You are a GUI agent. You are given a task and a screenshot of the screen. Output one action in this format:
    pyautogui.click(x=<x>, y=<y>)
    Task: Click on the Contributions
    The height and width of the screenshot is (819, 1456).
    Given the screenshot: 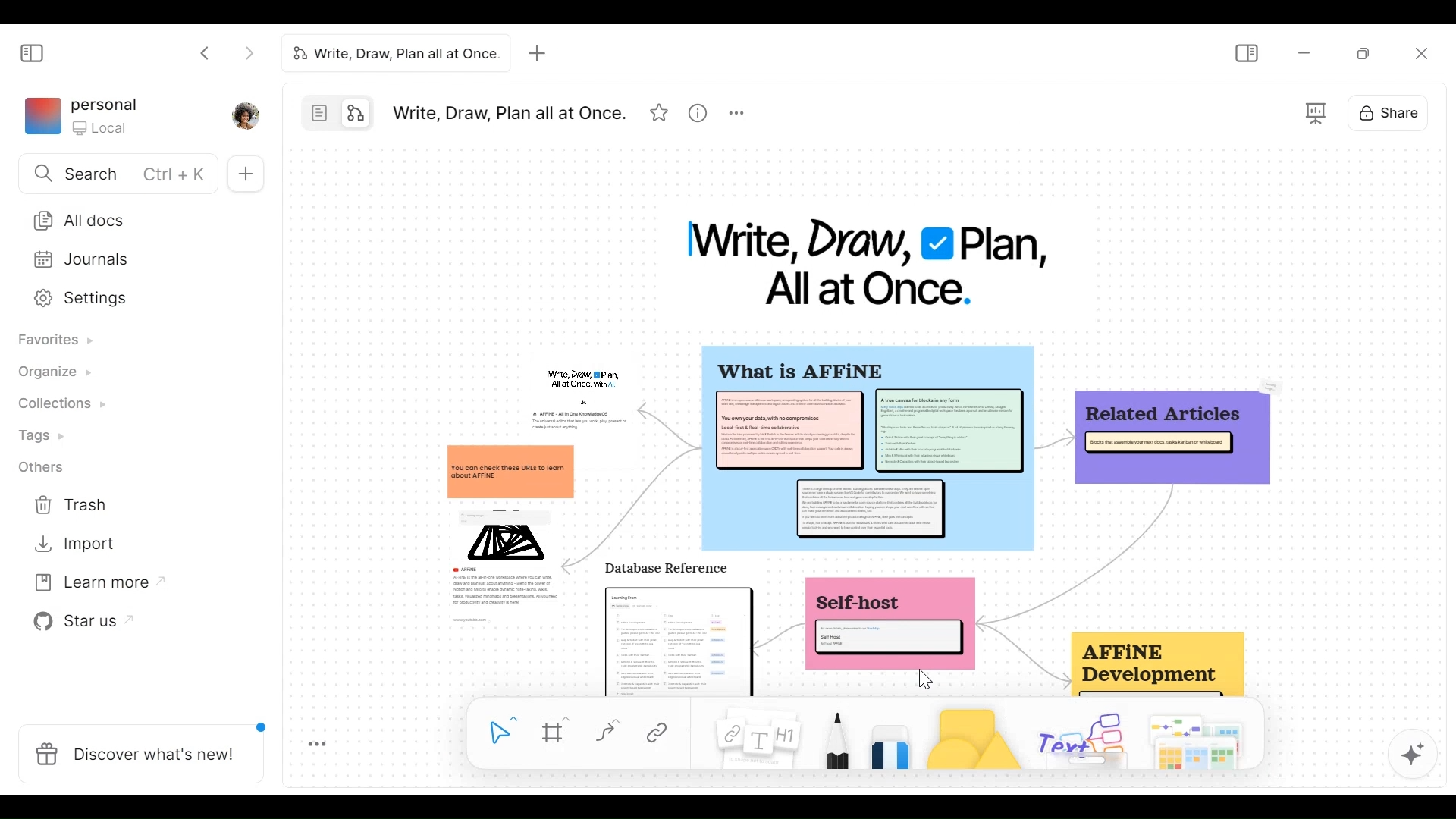 What is the action you would take?
    pyautogui.click(x=55, y=403)
    